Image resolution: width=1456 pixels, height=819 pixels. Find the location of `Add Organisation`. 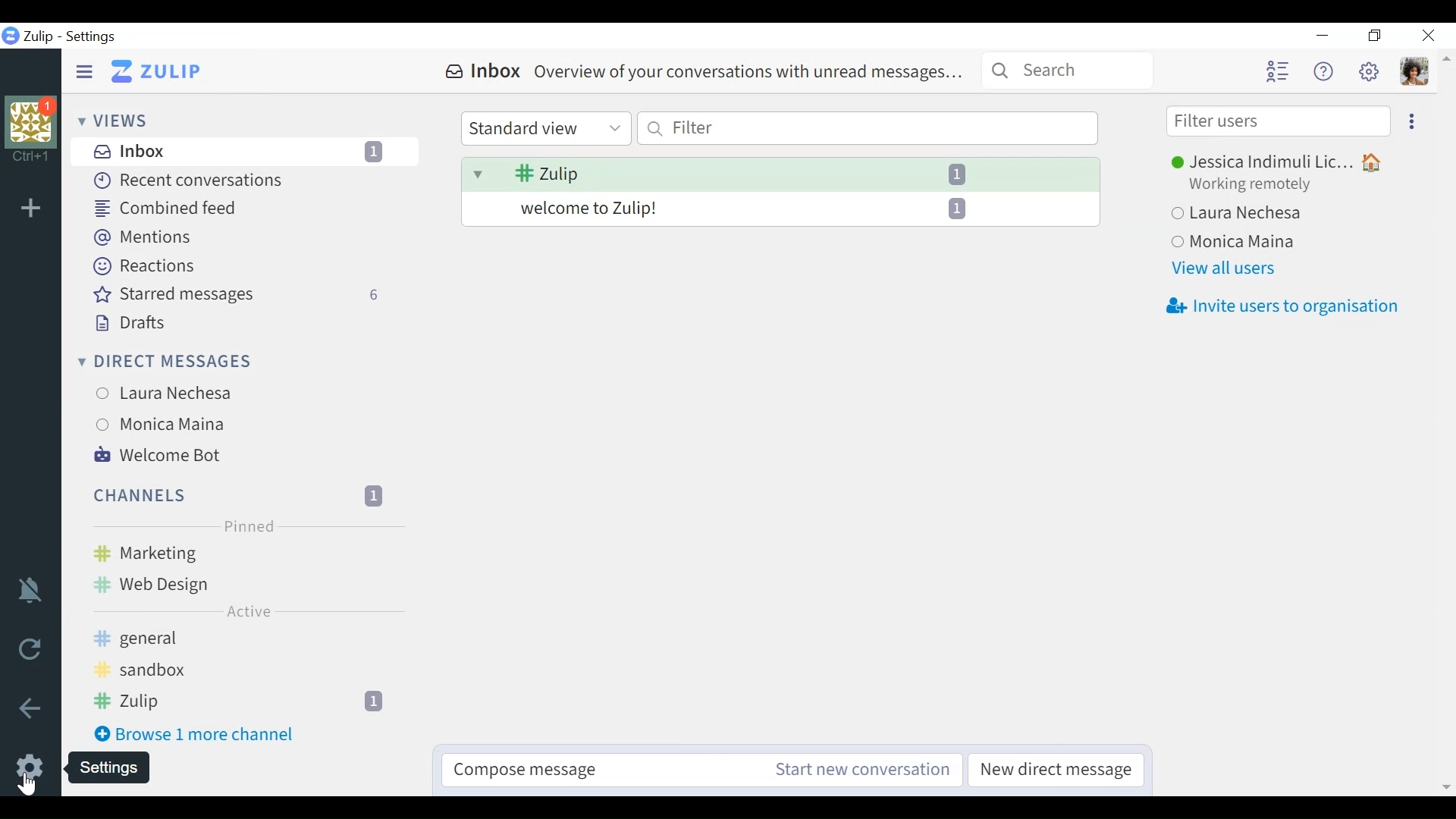

Add Organisation is located at coordinates (31, 206).